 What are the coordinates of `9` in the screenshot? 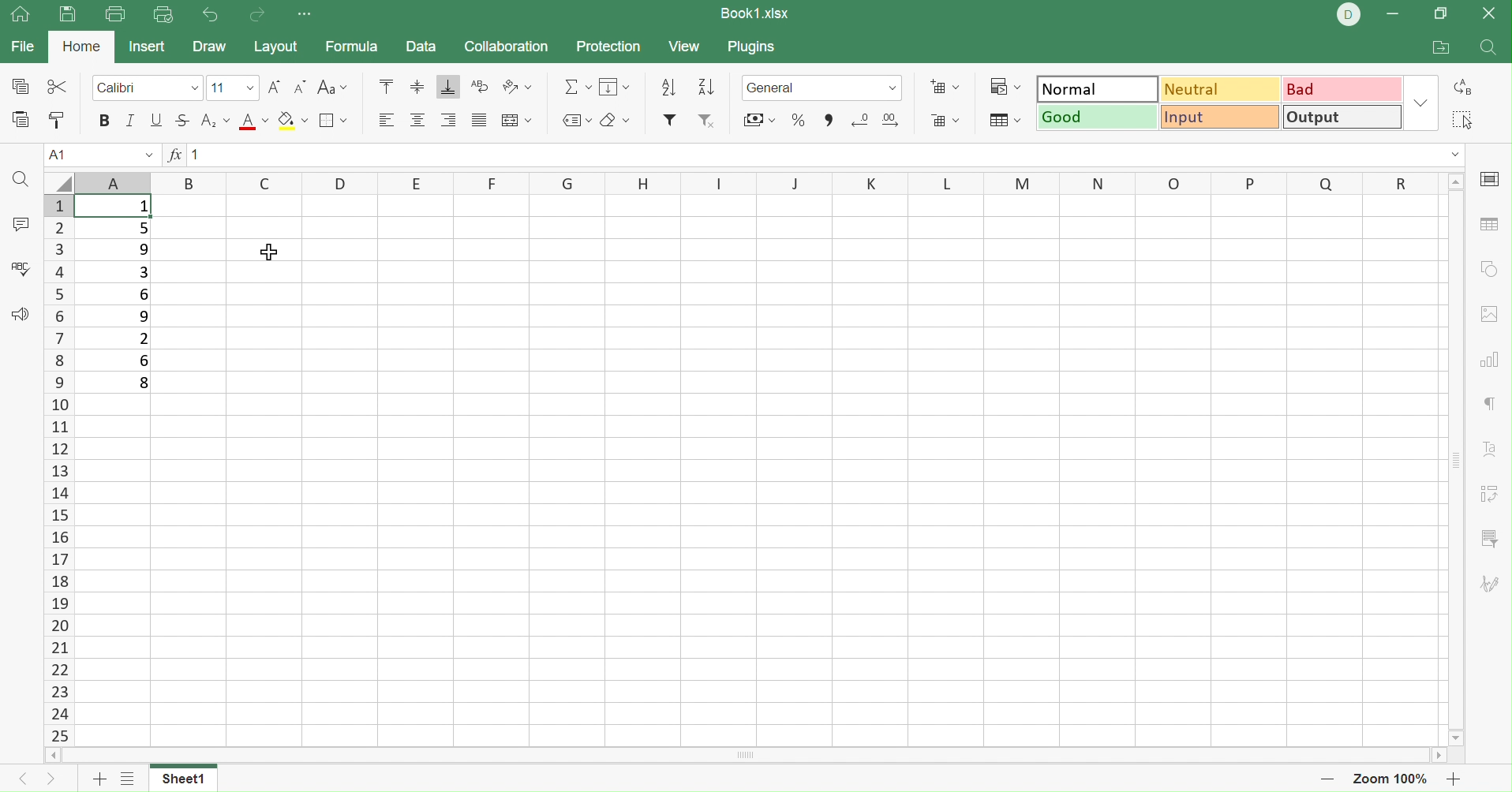 It's located at (144, 317).